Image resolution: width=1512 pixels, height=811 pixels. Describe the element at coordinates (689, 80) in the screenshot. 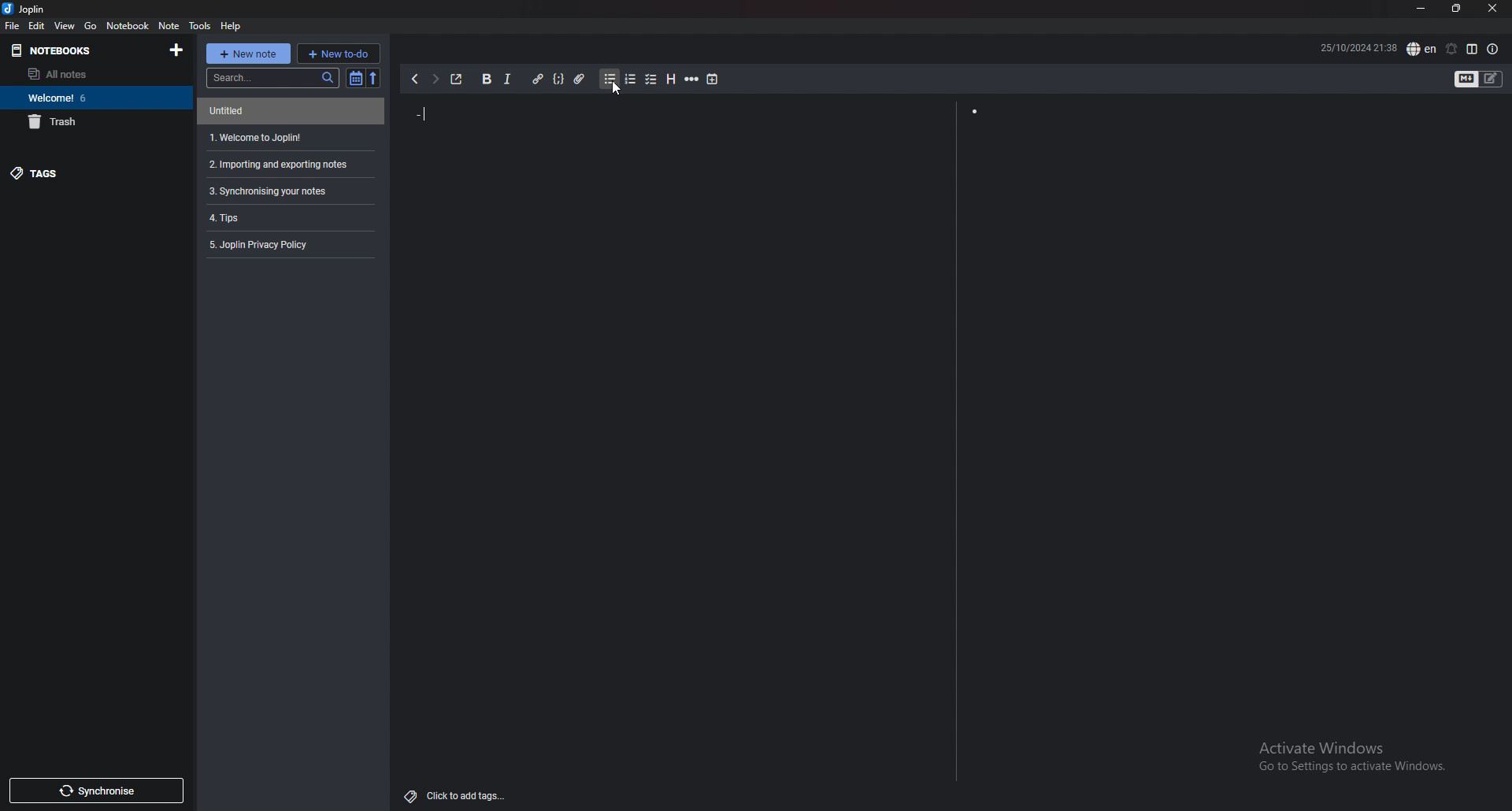

I see `Horizontal rule` at that location.